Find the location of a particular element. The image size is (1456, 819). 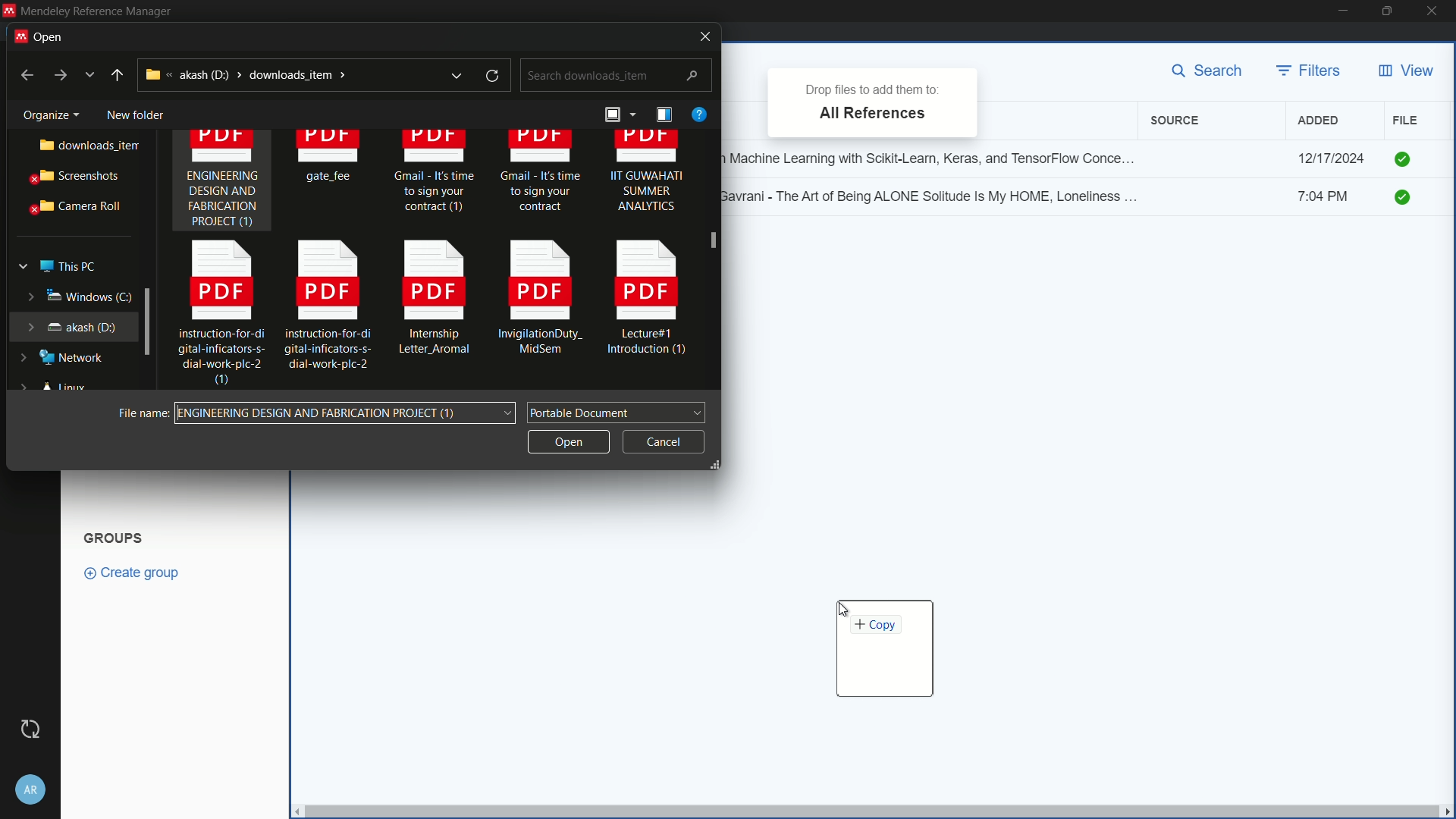

cancel is located at coordinates (664, 439).